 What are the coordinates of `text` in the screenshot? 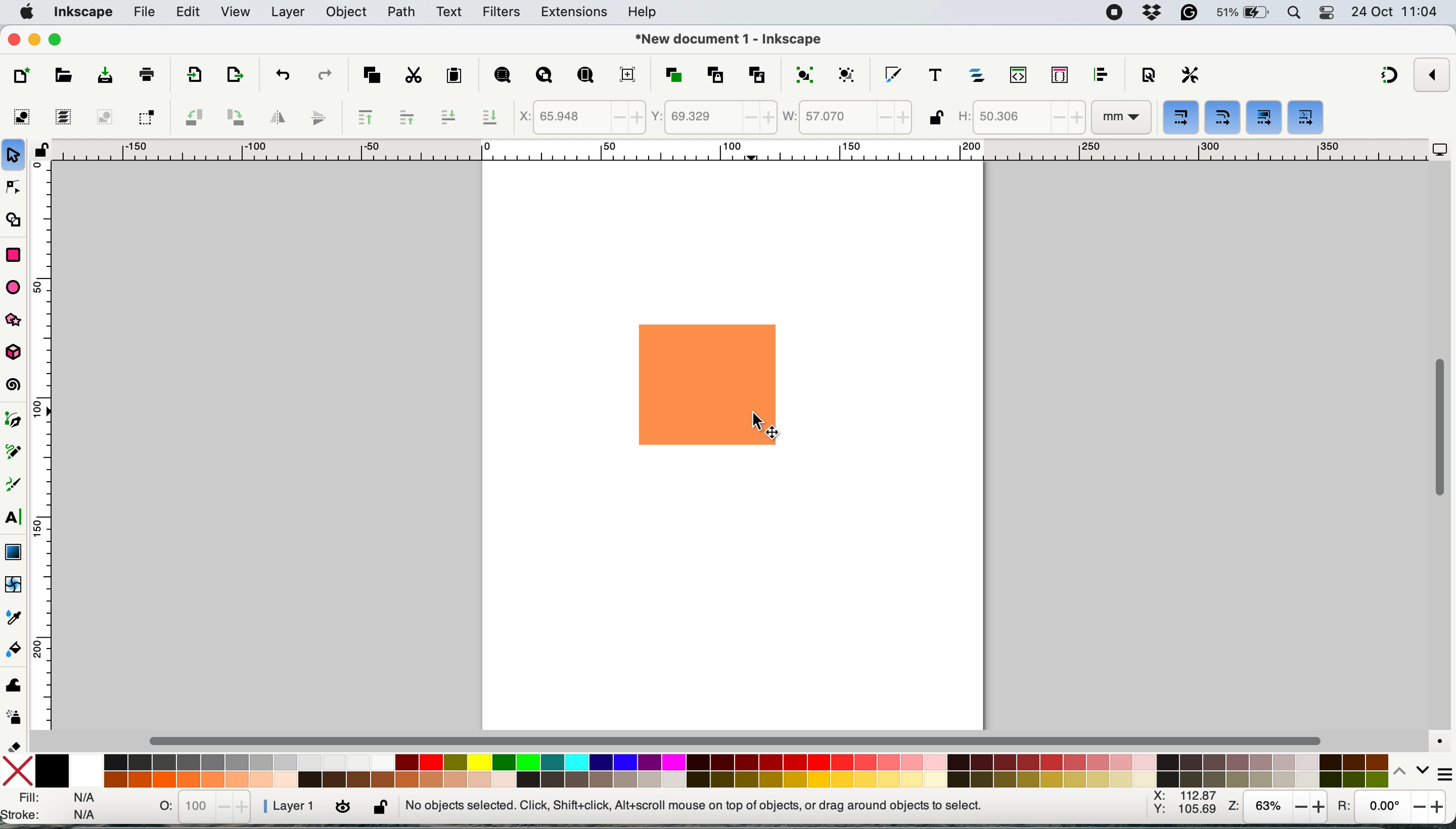 It's located at (450, 12).